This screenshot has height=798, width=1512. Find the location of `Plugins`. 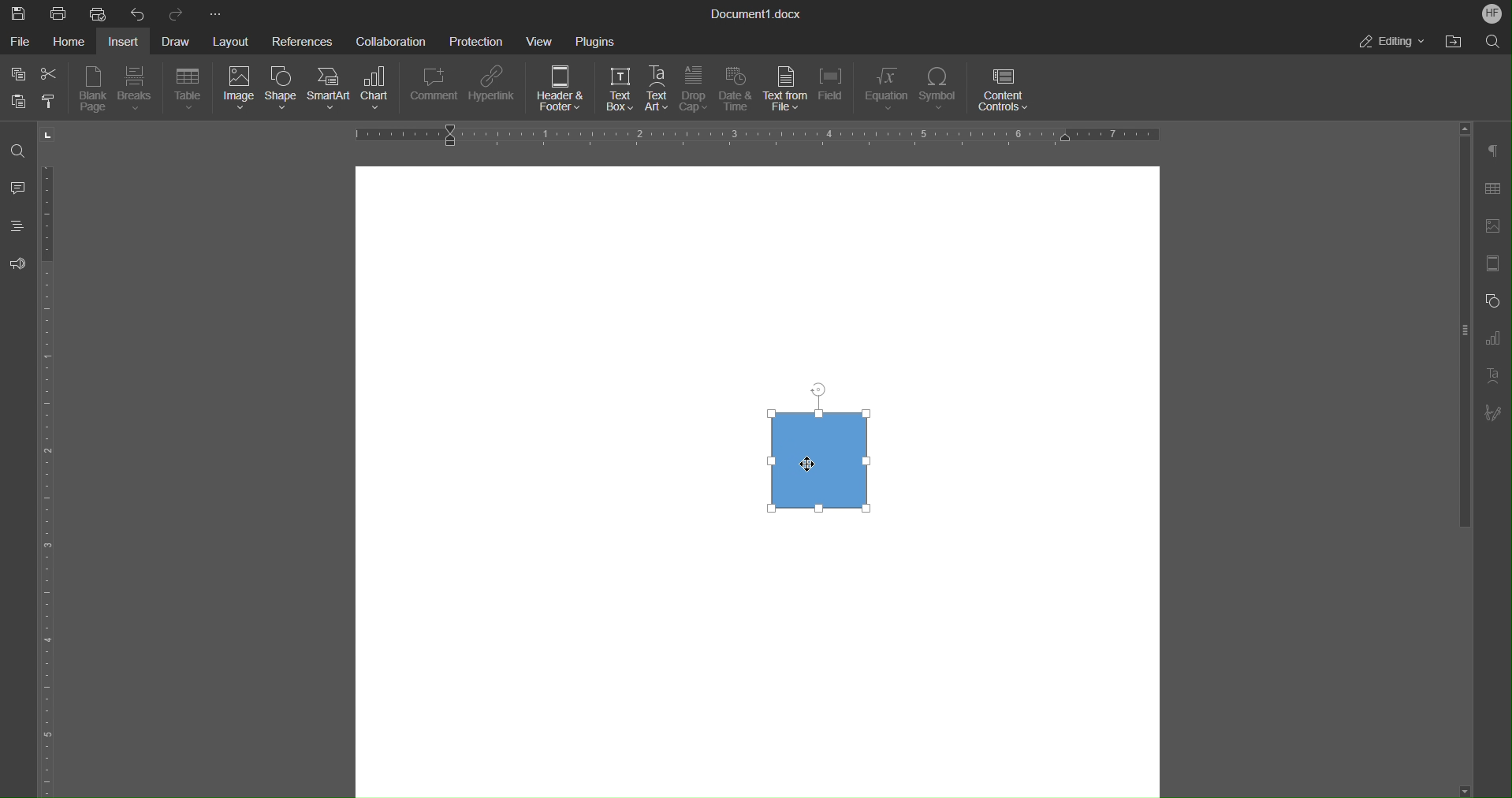

Plugins is located at coordinates (595, 40).